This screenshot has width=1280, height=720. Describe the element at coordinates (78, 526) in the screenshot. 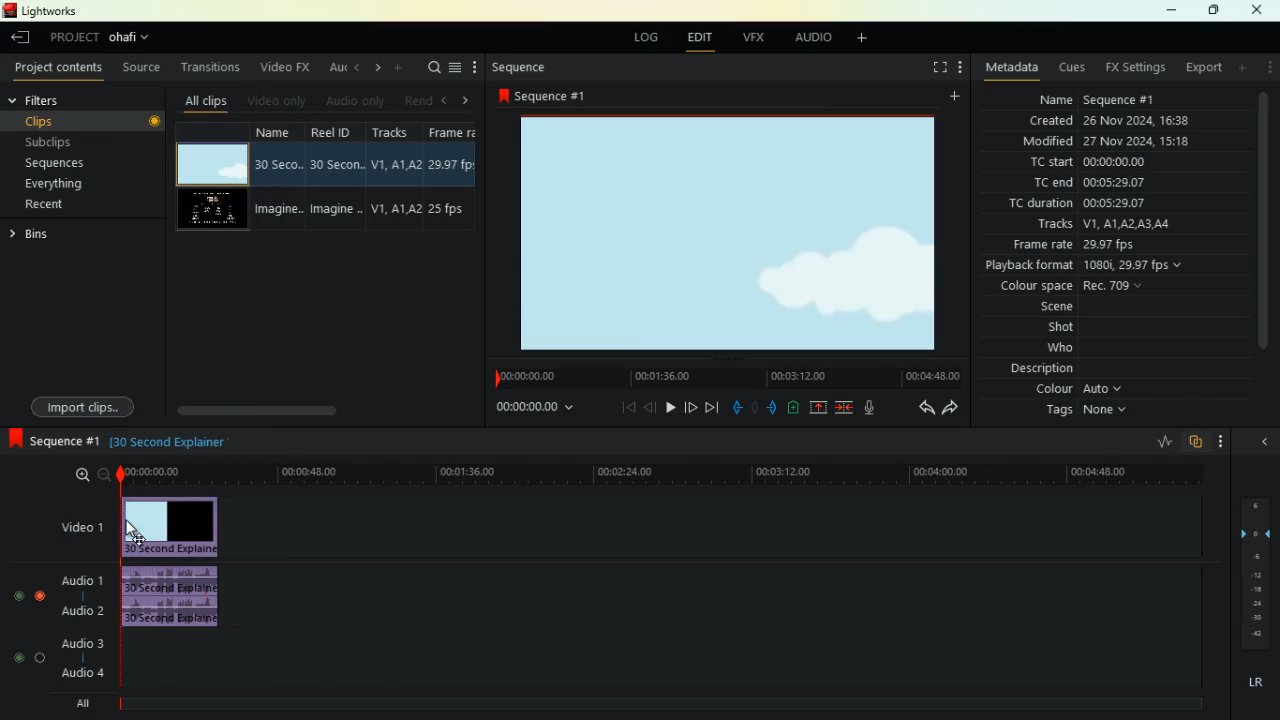

I see `video1` at that location.